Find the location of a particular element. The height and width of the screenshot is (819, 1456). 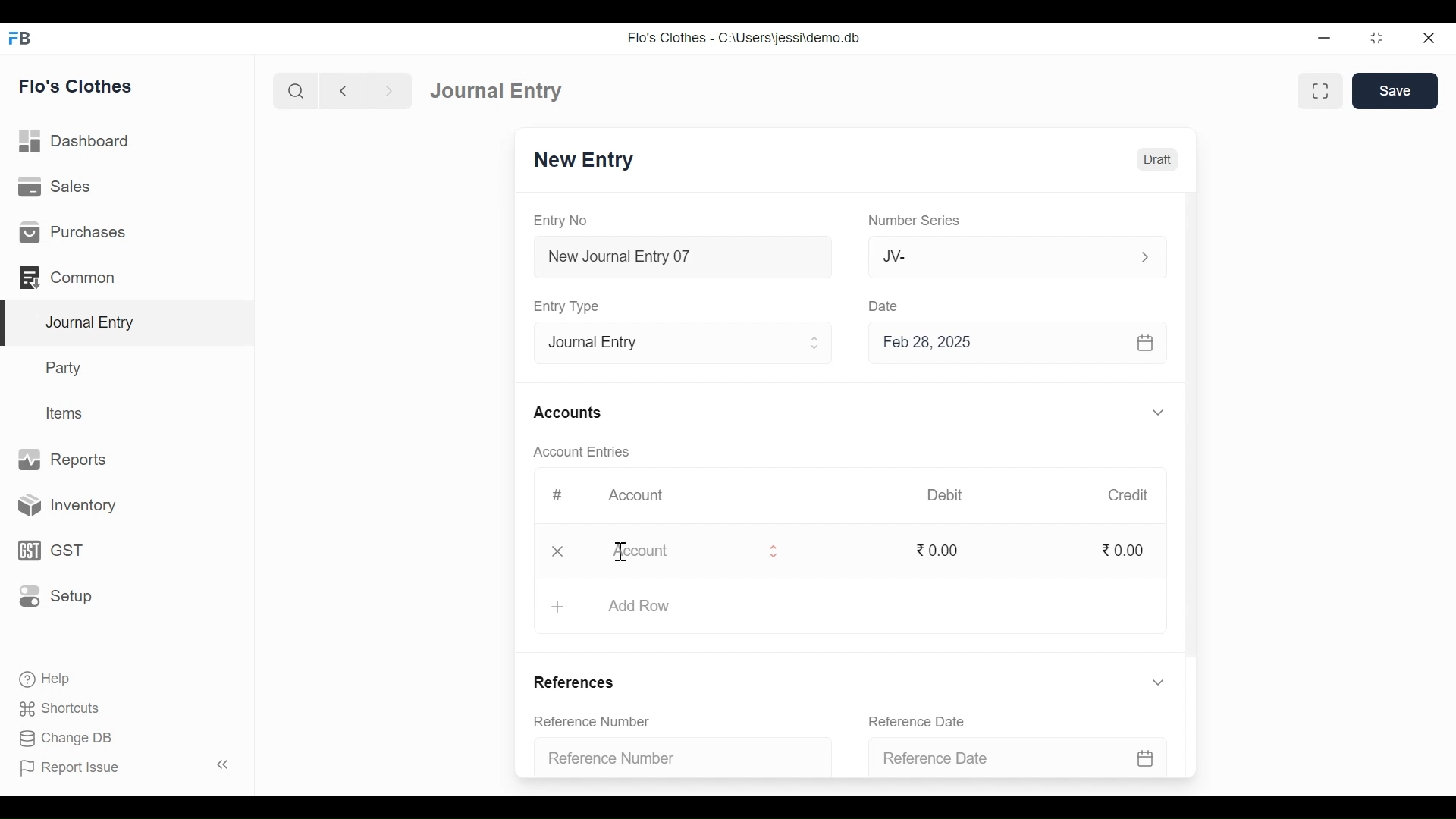

Expand is located at coordinates (773, 554).